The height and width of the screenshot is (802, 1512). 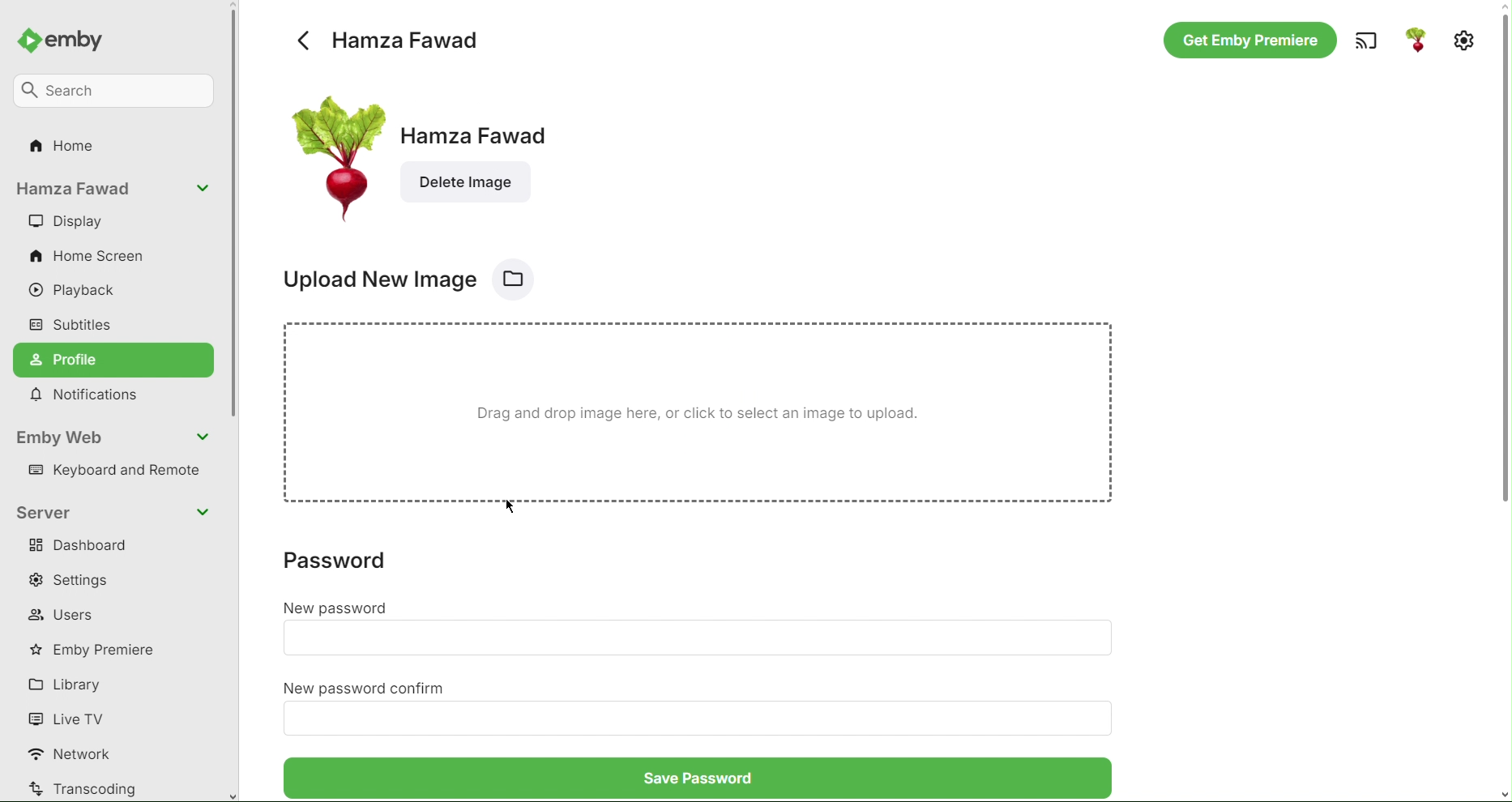 What do you see at coordinates (70, 684) in the screenshot?
I see `Library` at bounding box center [70, 684].